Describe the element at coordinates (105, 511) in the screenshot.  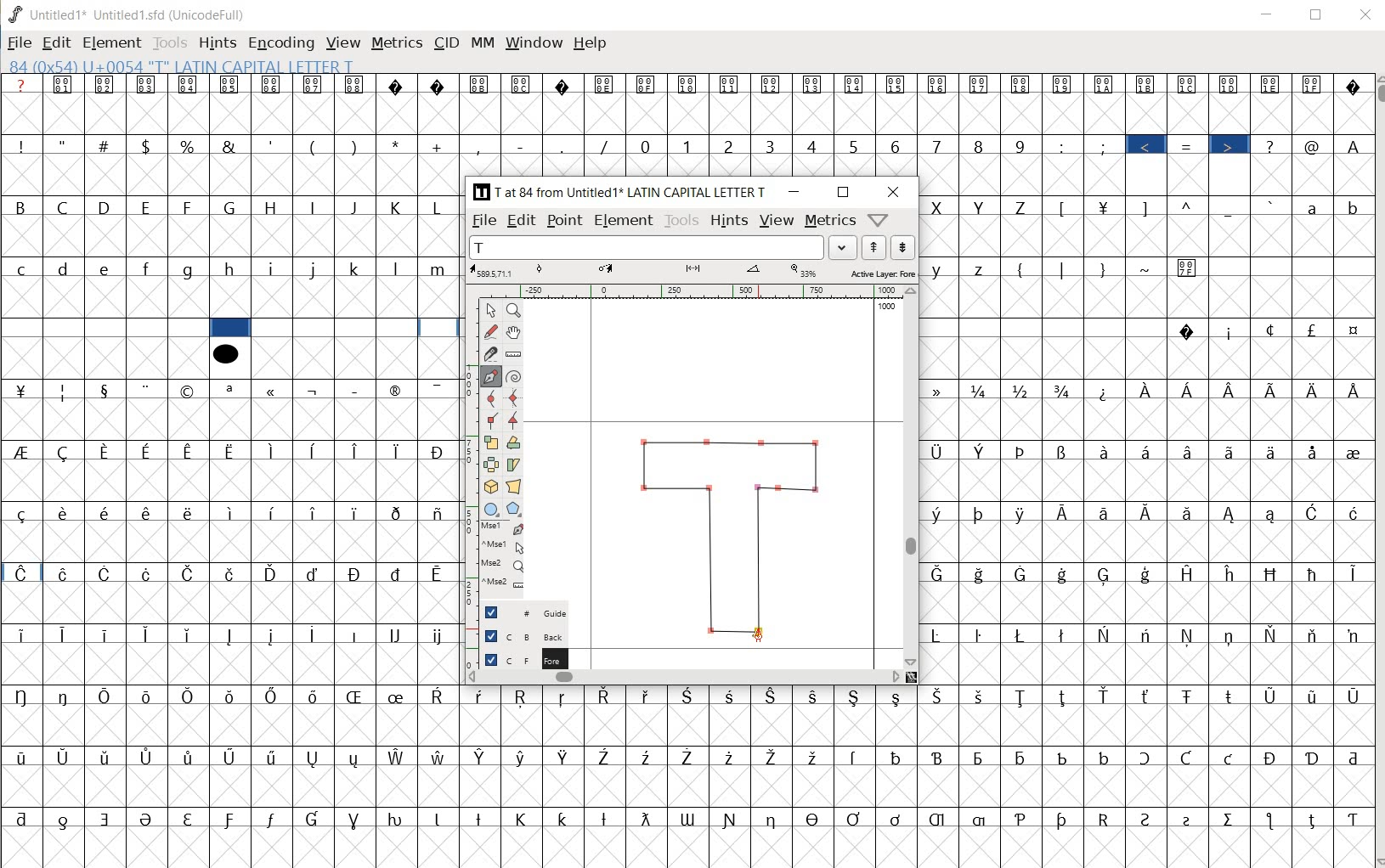
I see `Symbol` at that location.